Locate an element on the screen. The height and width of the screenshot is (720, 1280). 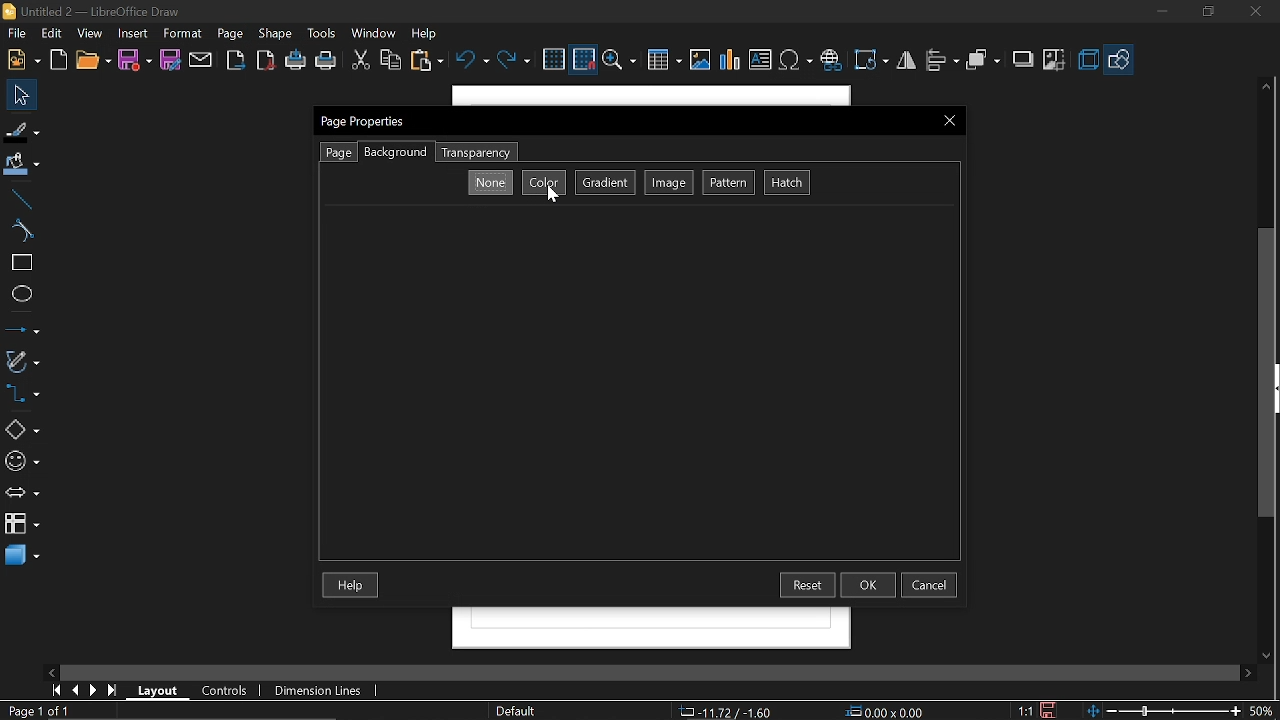
Co-ordinate is located at coordinates (725, 711).